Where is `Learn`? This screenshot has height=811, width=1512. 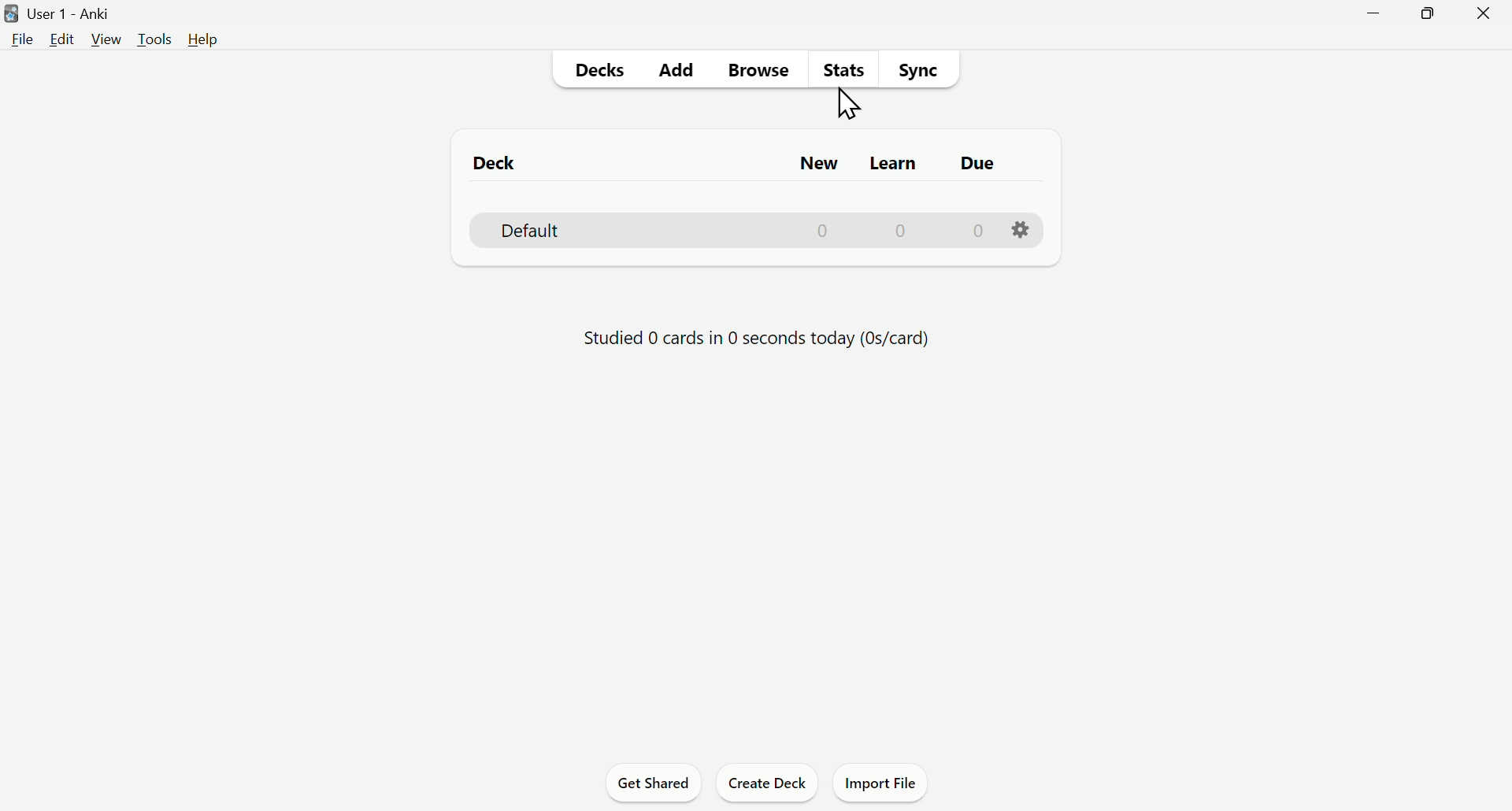 Learn is located at coordinates (895, 164).